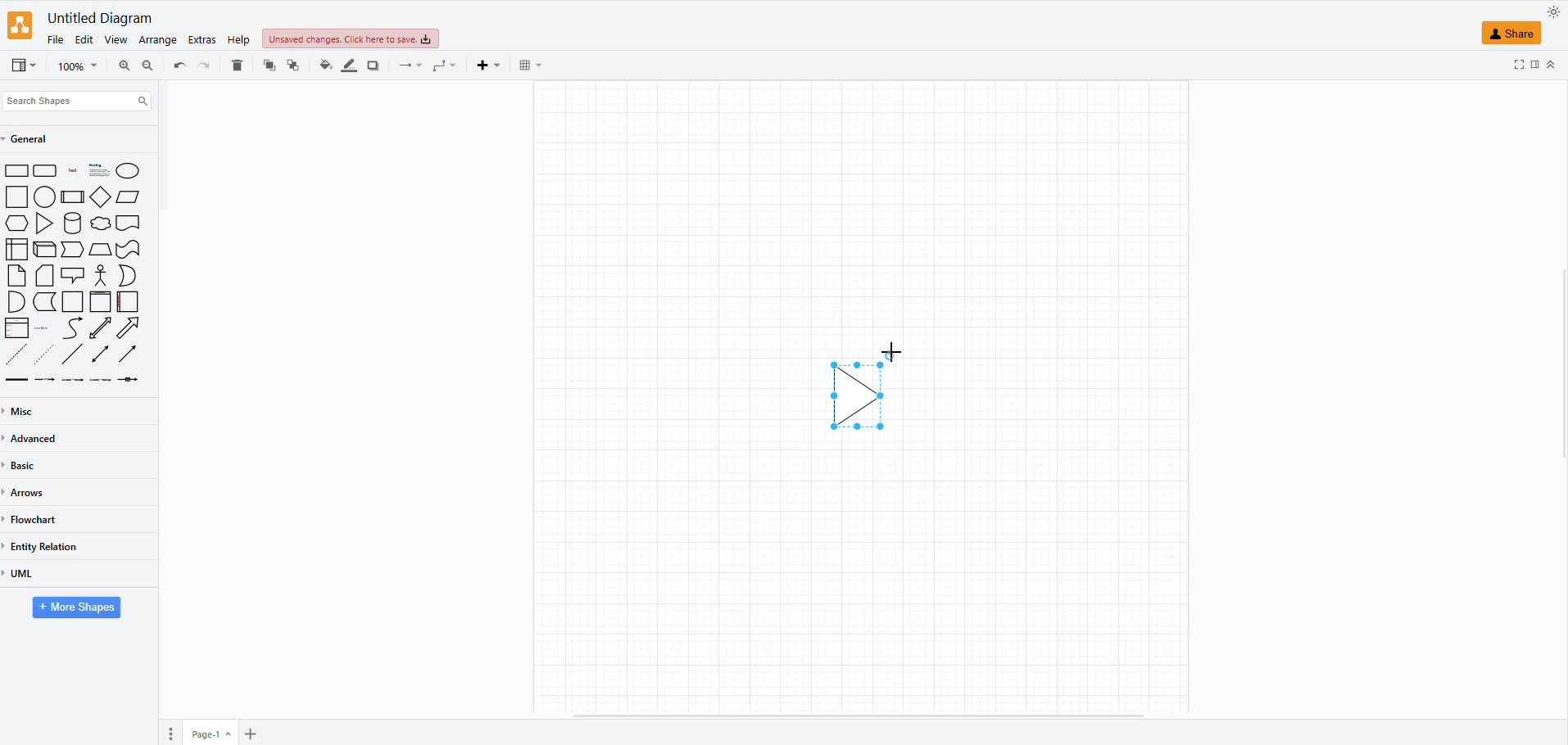 The image size is (1568, 745). Describe the element at coordinates (72, 328) in the screenshot. I see `Curved Arrow` at that location.